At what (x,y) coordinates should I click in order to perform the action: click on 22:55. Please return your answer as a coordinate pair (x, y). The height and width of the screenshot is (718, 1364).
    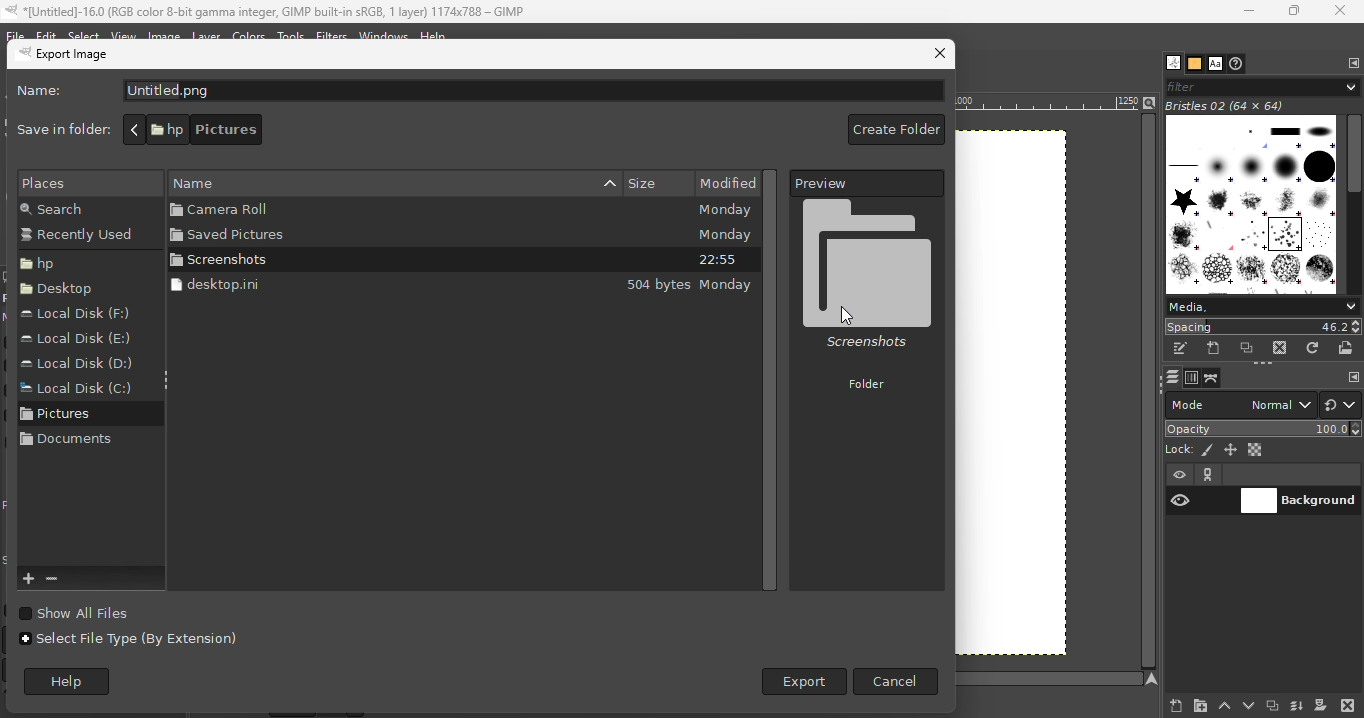
    Looking at the image, I should click on (718, 261).